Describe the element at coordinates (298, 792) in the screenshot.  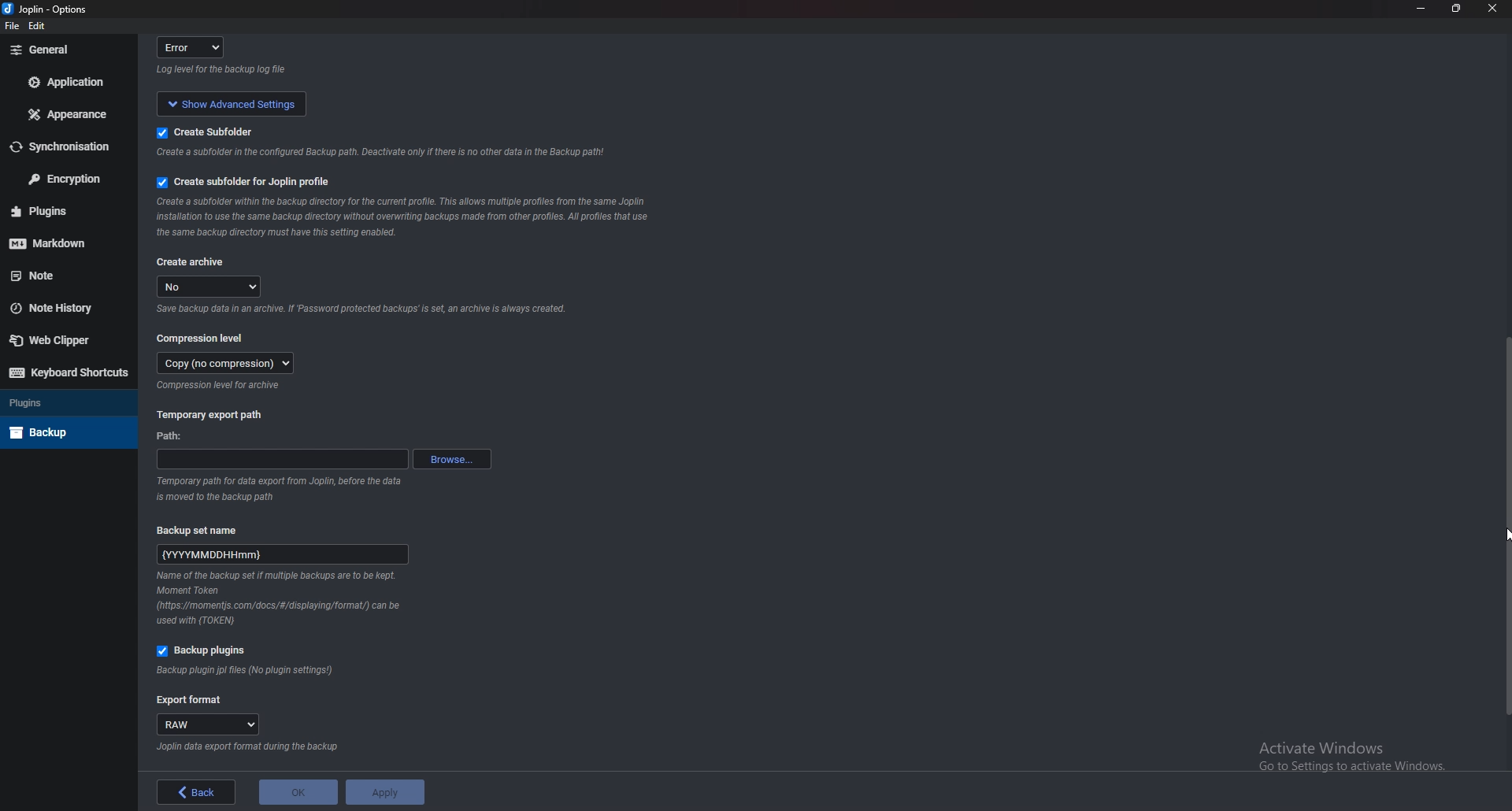
I see `ok` at that location.